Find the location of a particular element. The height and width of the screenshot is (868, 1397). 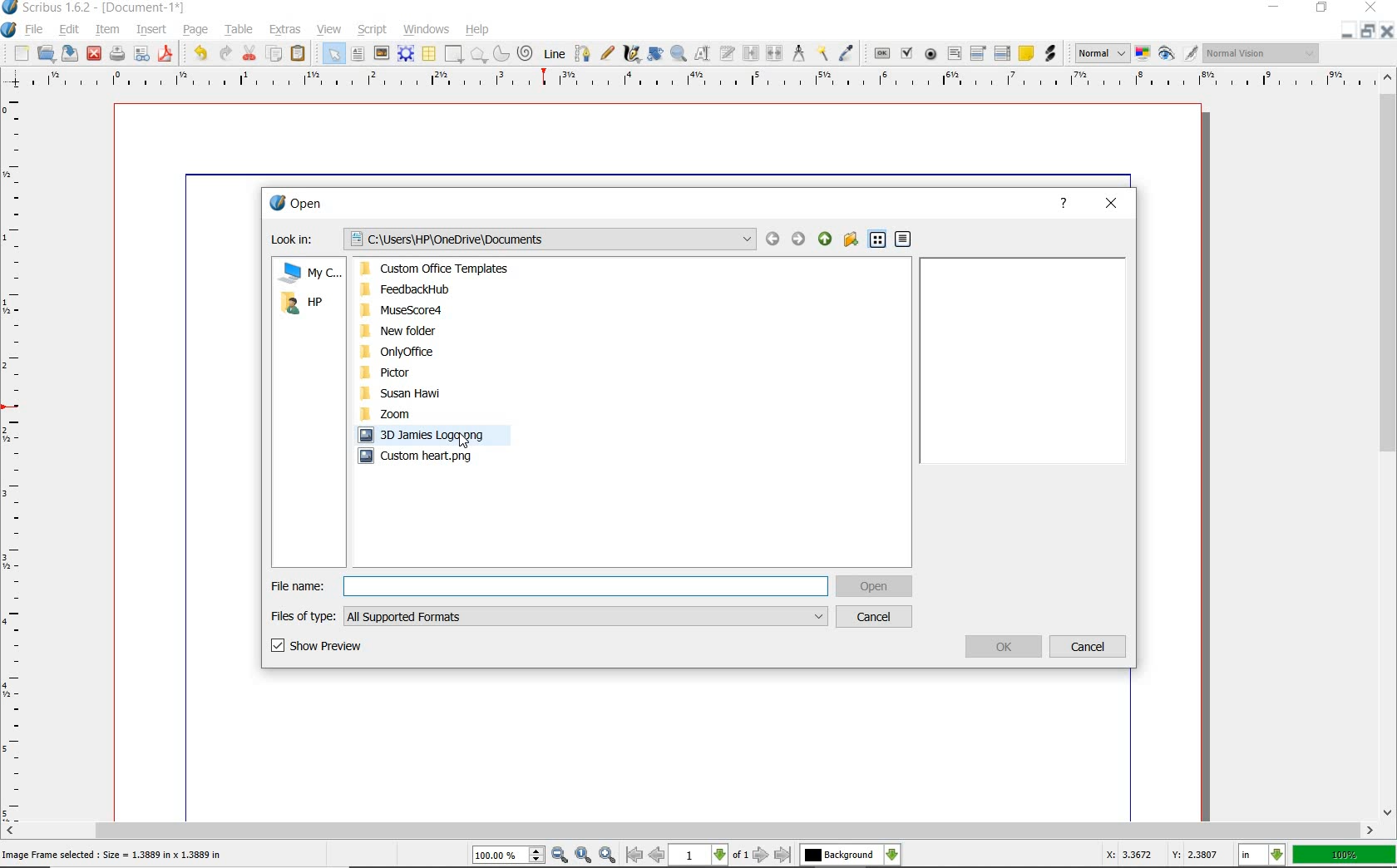

Cursor Coordinates is located at coordinates (1159, 857).